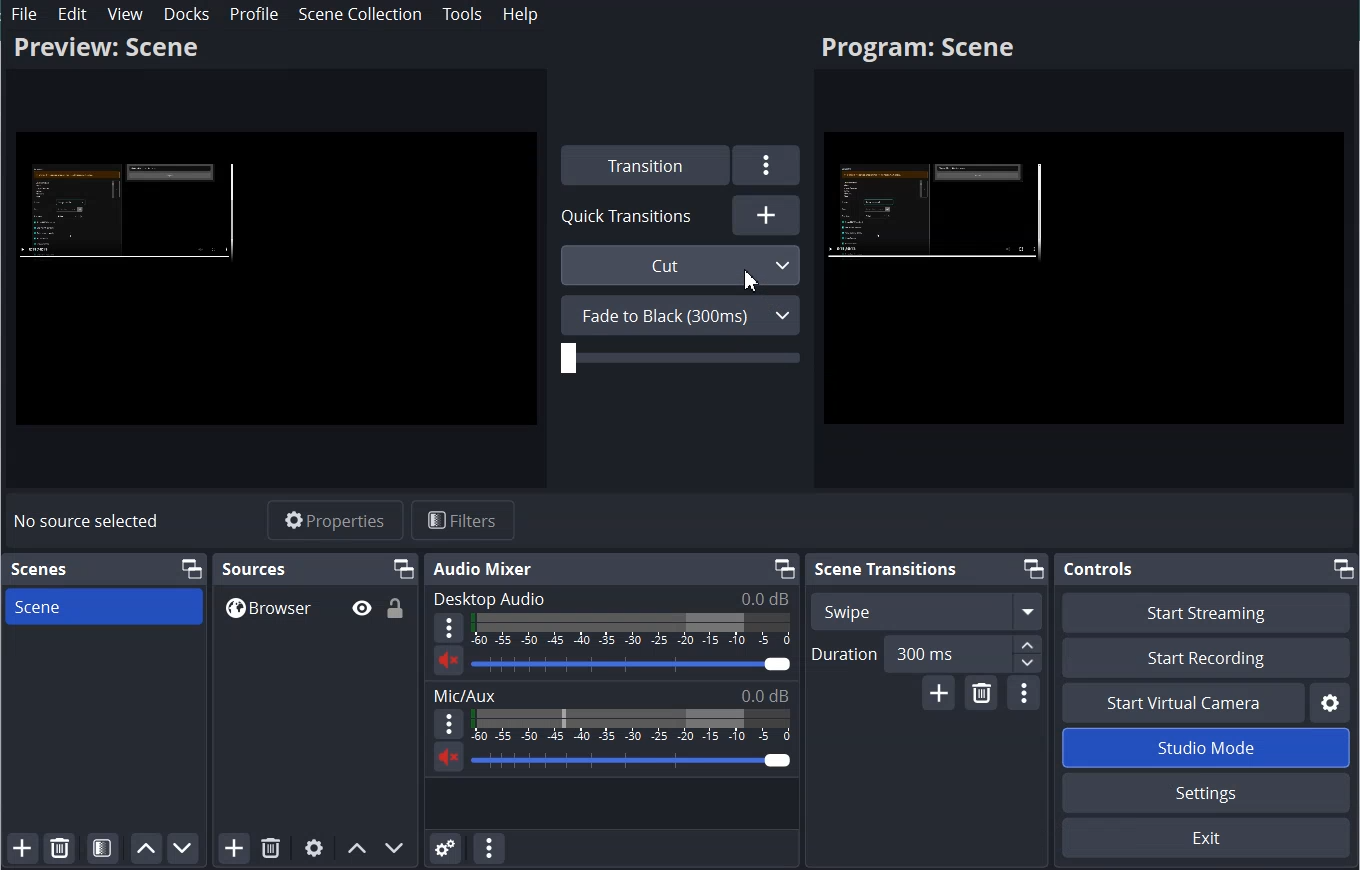 The height and width of the screenshot is (870, 1360). What do you see at coordinates (255, 568) in the screenshot?
I see `Text` at bounding box center [255, 568].